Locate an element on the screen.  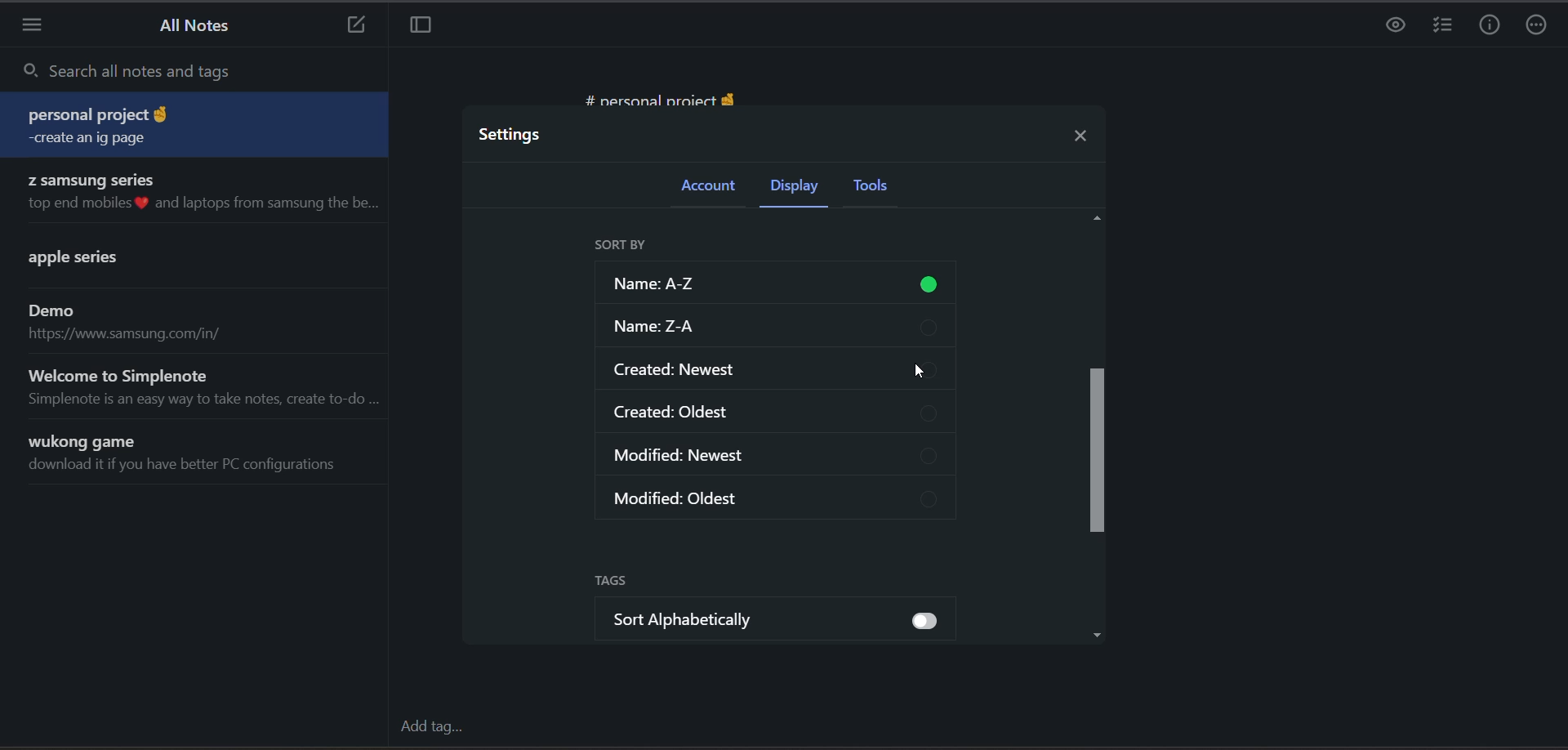
note title and preview is located at coordinates (128, 323).